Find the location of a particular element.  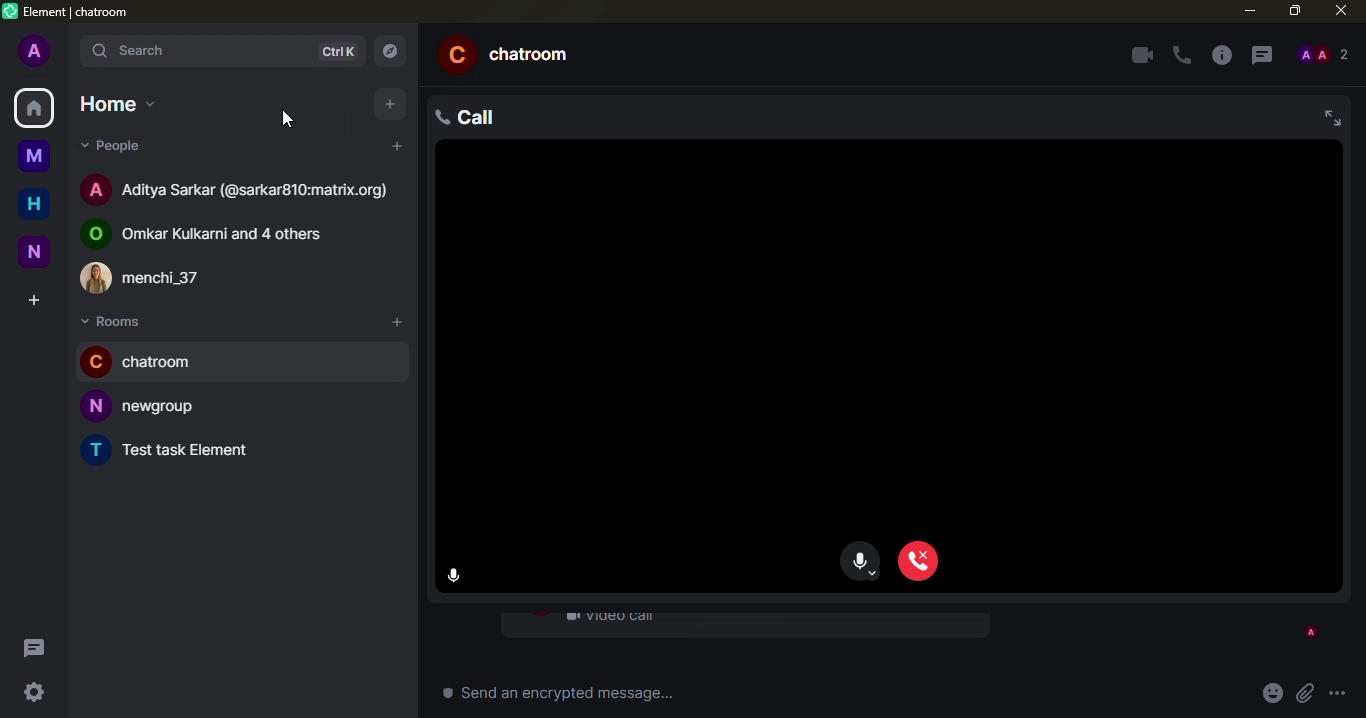

call is located at coordinates (478, 117).